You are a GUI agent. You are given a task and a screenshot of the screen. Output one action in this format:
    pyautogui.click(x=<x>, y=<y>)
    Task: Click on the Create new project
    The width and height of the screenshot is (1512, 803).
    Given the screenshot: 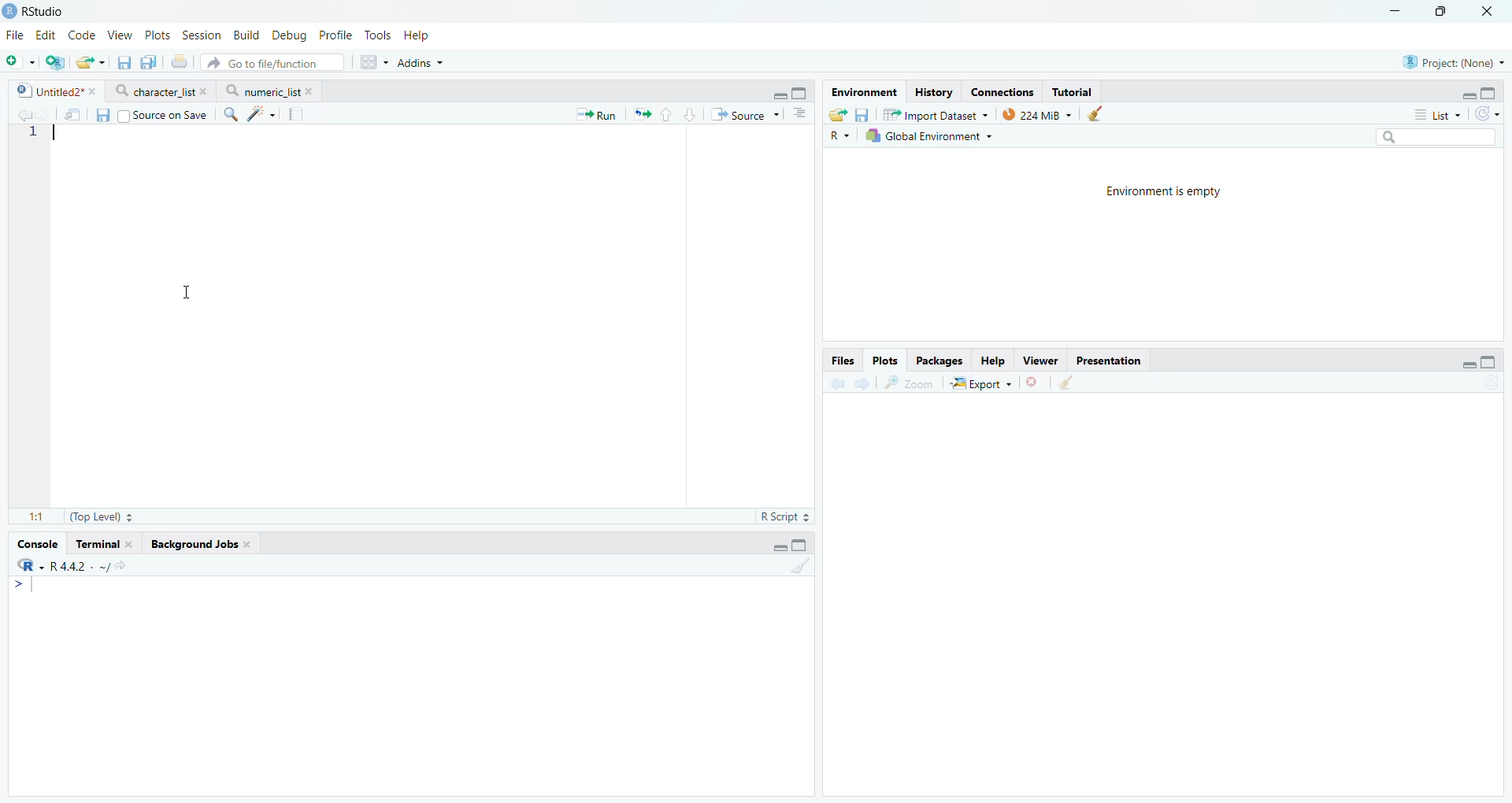 What is the action you would take?
    pyautogui.click(x=55, y=63)
    